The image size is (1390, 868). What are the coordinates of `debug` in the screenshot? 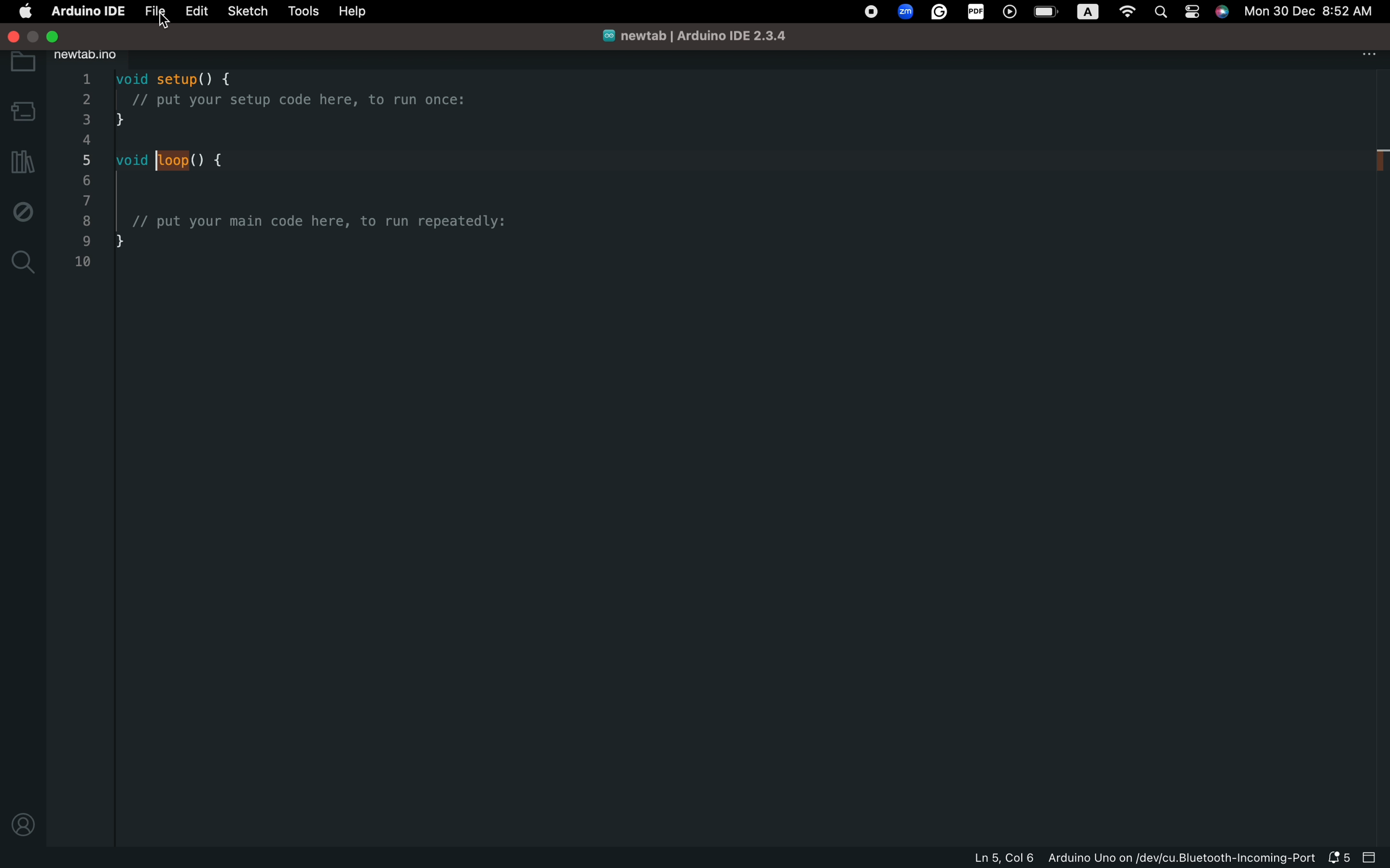 It's located at (21, 210).